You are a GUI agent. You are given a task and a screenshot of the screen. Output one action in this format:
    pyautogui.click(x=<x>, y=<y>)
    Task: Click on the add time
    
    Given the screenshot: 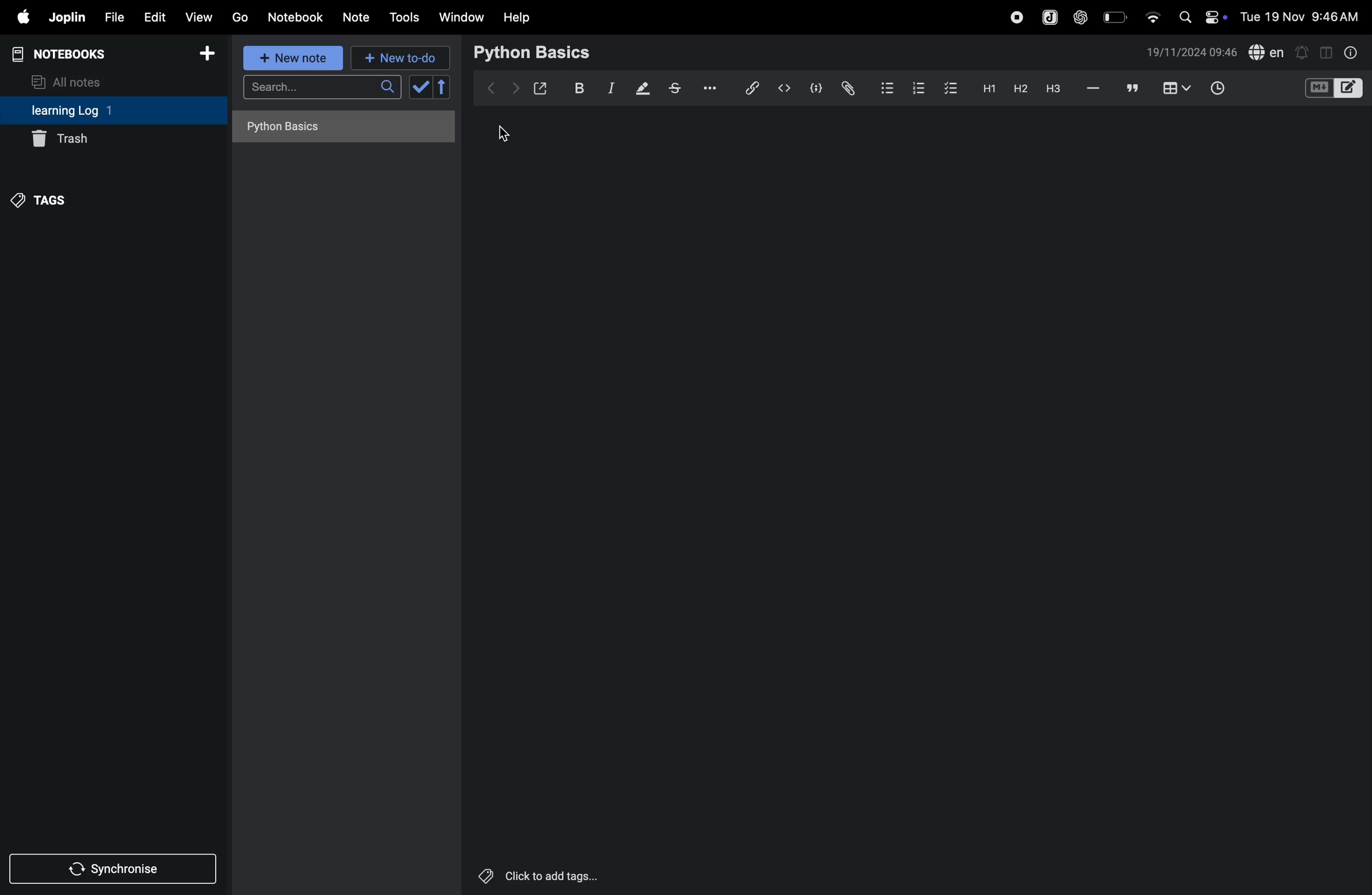 What is the action you would take?
    pyautogui.click(x=1231, y=89)
    